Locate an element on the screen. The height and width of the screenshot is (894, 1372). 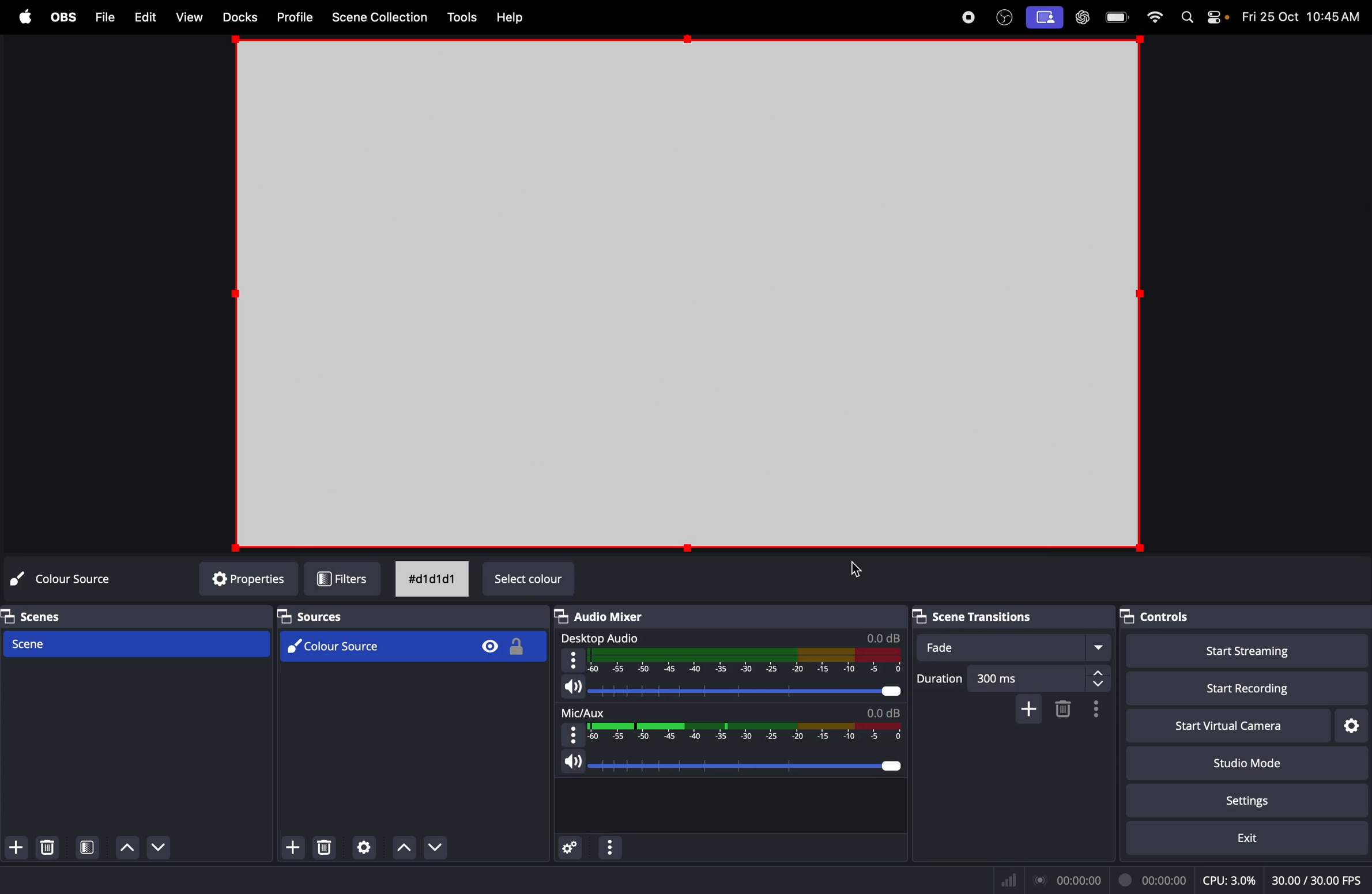
Files is located at coordinates (103, 16).